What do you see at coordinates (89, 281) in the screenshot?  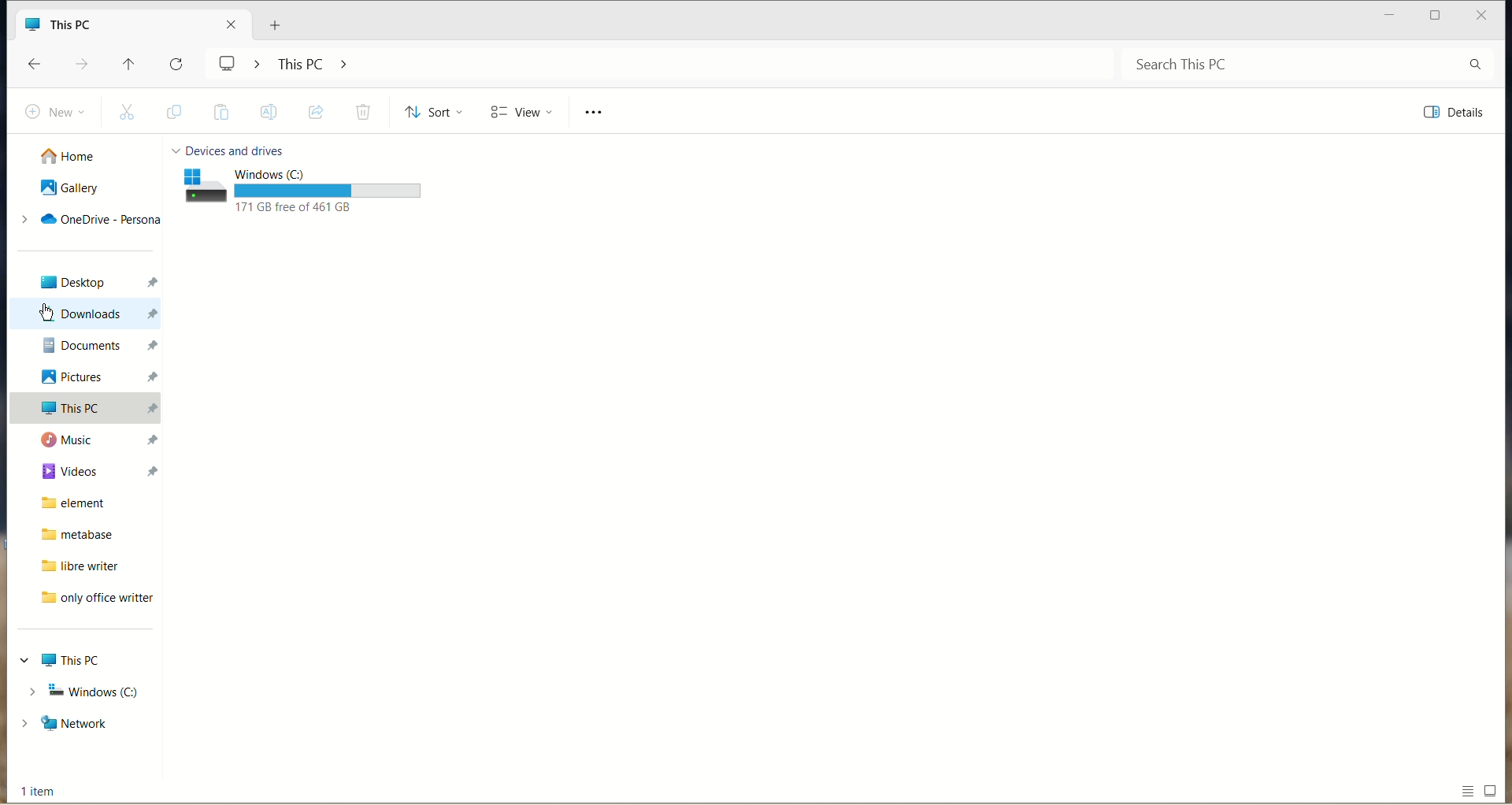 I see `desktop` at bounding box center [89, 281].